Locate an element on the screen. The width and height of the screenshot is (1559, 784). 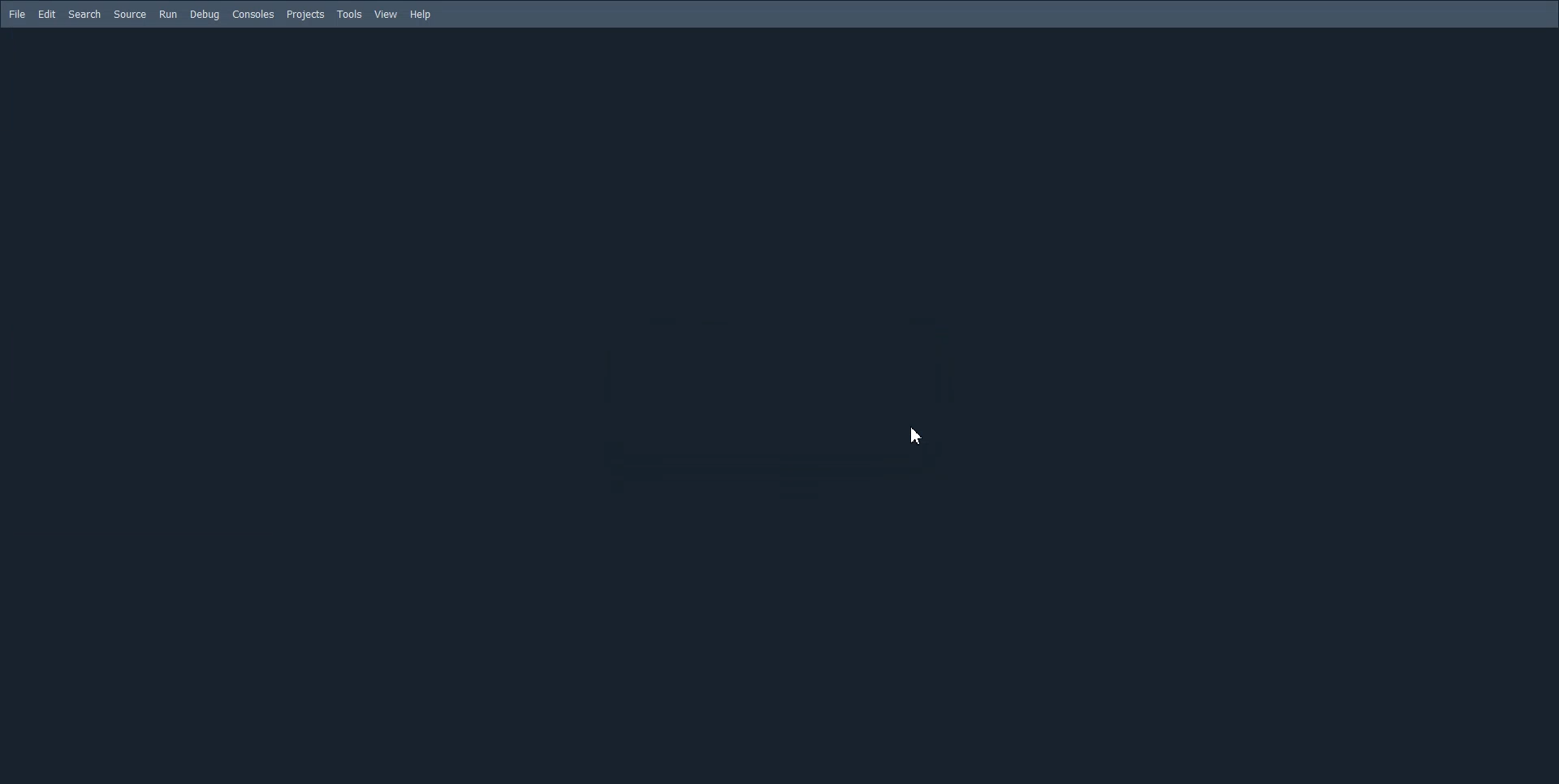
Consoles is located at coordinates (253, 15).